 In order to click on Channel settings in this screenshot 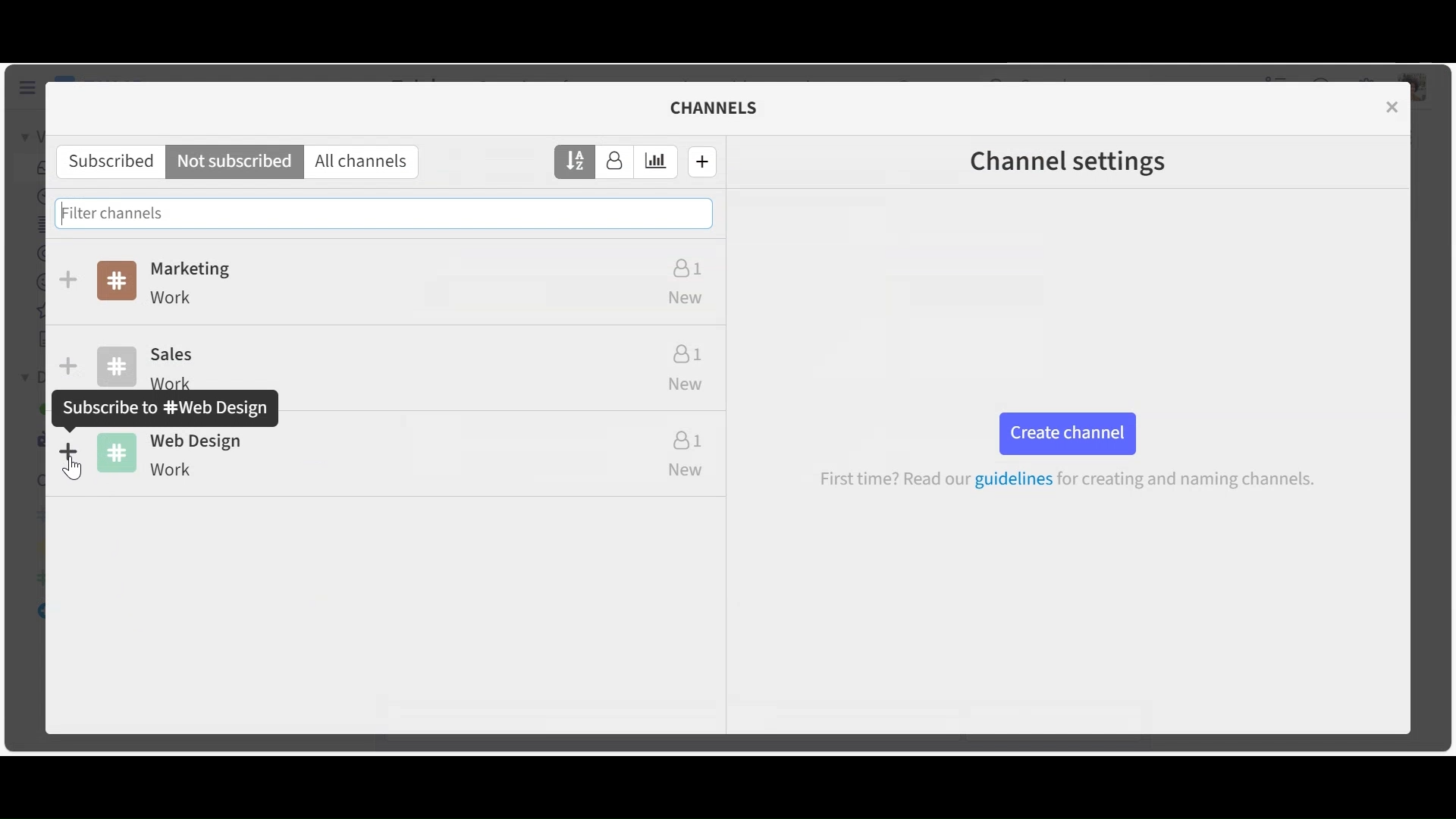, I will do `click(1078, 162)`.